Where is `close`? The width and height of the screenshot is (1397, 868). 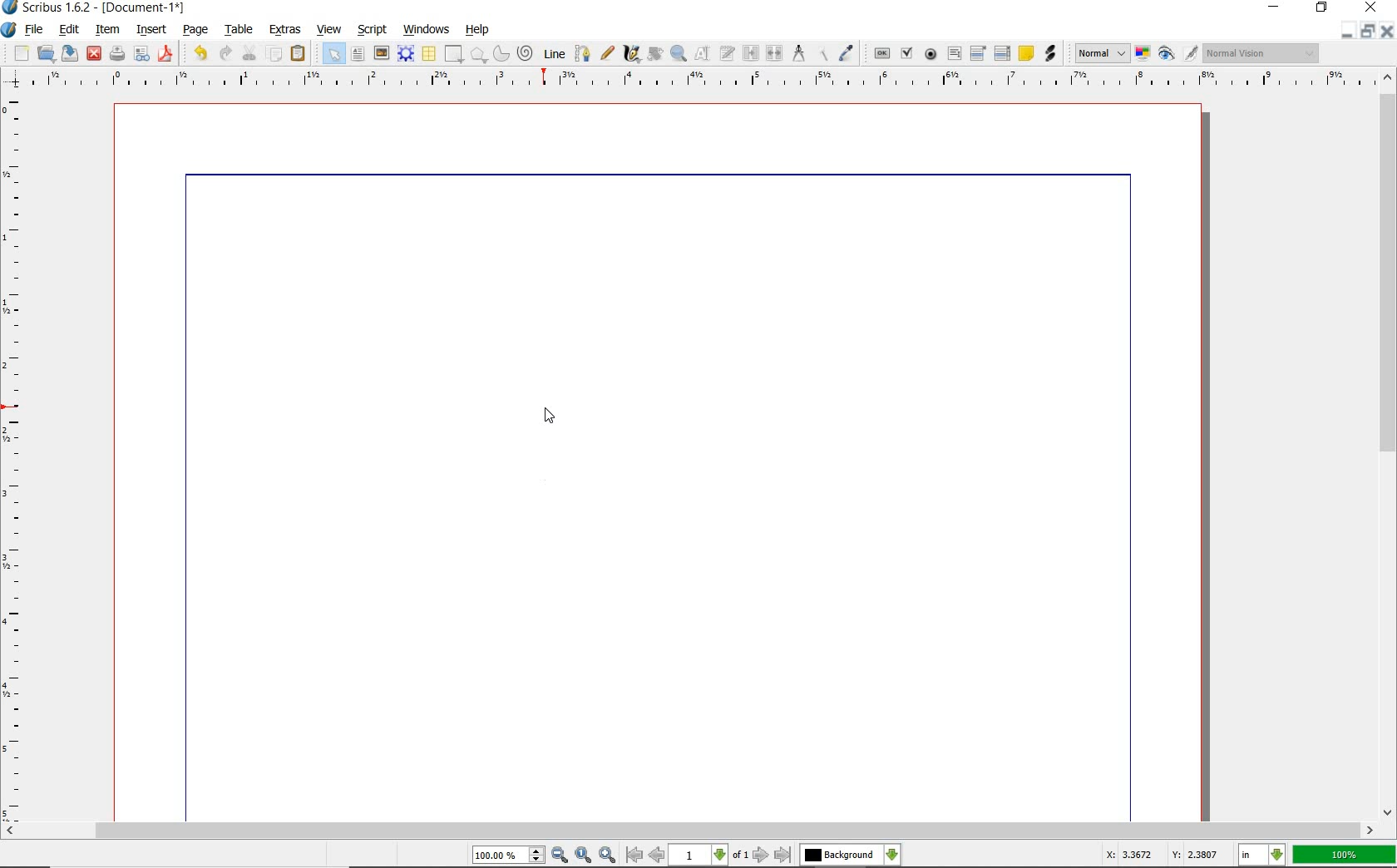
close is located at coordinates (1374, 7).